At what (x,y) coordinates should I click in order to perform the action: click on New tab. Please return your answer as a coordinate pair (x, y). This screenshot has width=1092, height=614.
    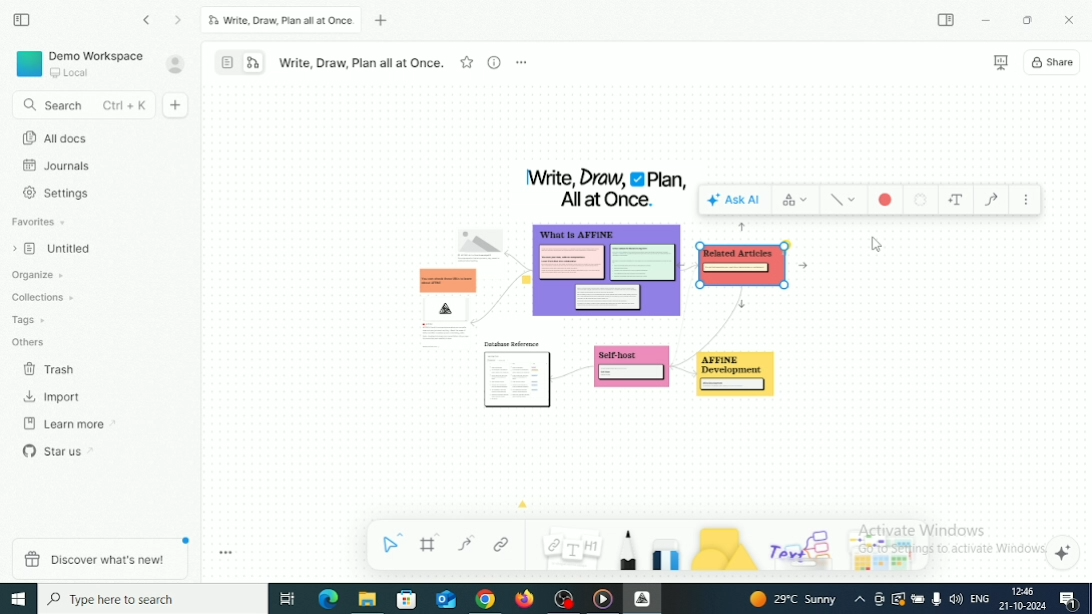
    Looking at the image, I should click on (384, 21).